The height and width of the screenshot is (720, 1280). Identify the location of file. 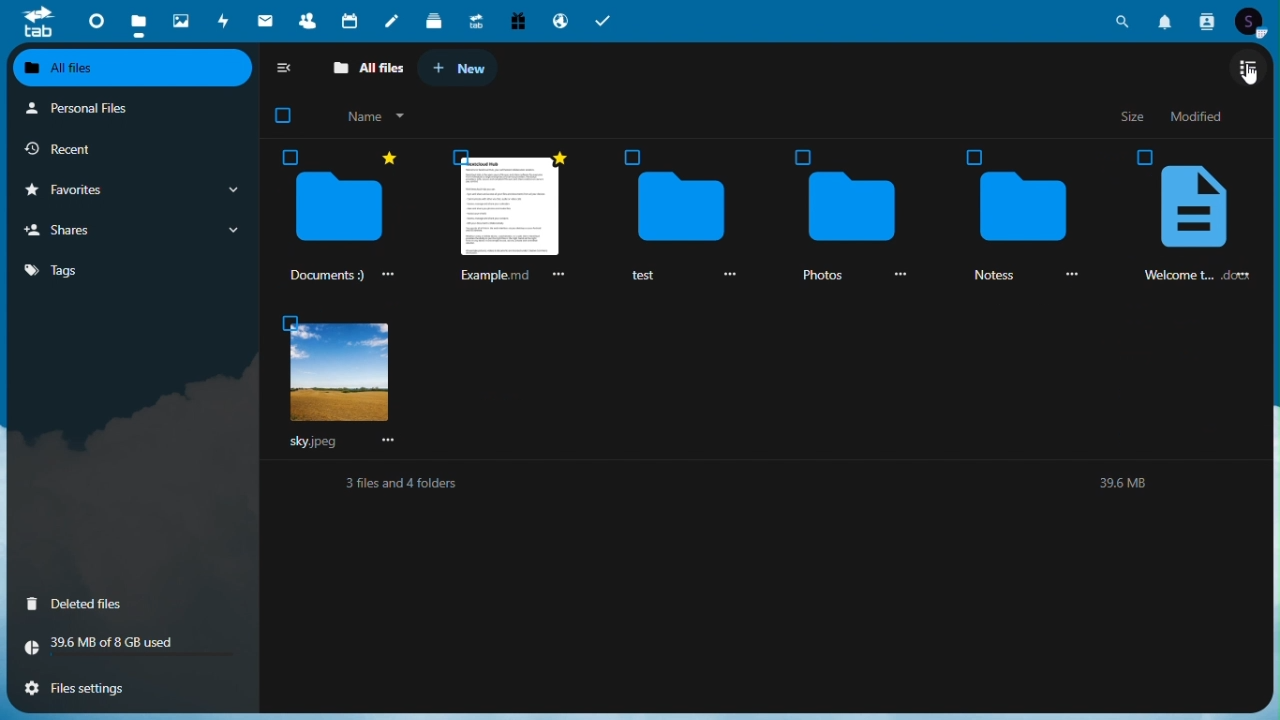
(510, 212).